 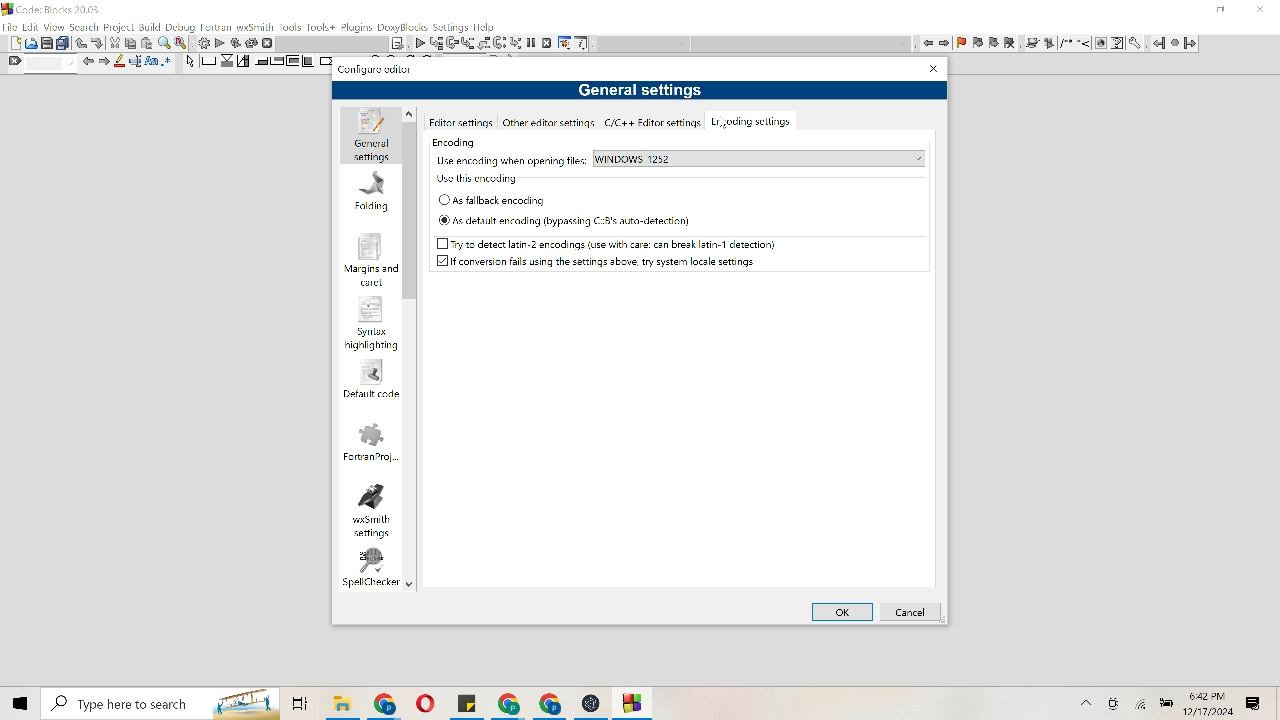 What do you see at coordinates (634, 704) in the screenshot?
I see `File` at bounding box center [634, 704].